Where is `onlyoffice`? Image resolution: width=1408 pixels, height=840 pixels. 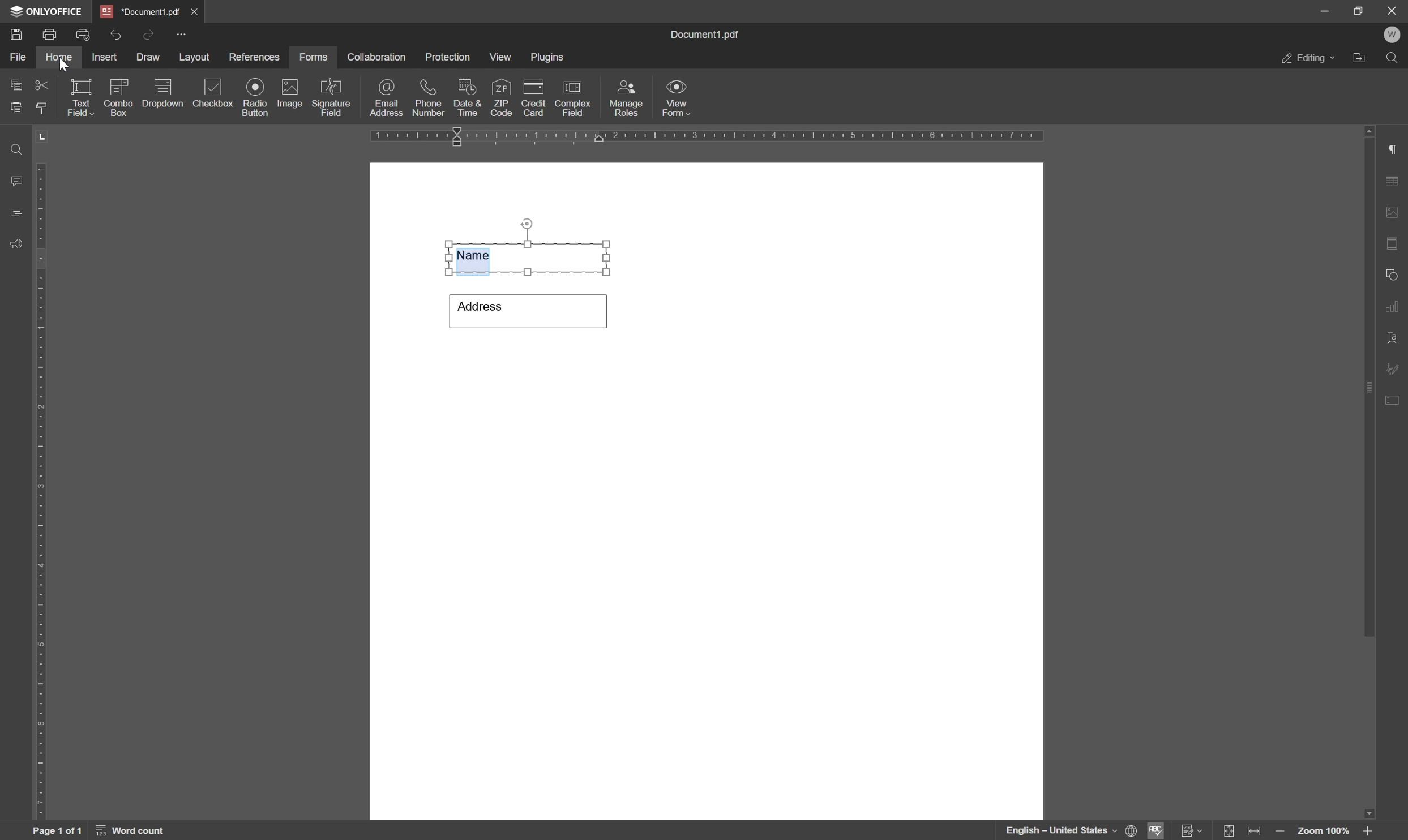 onlyoffice is located at coordinates (48, 12).